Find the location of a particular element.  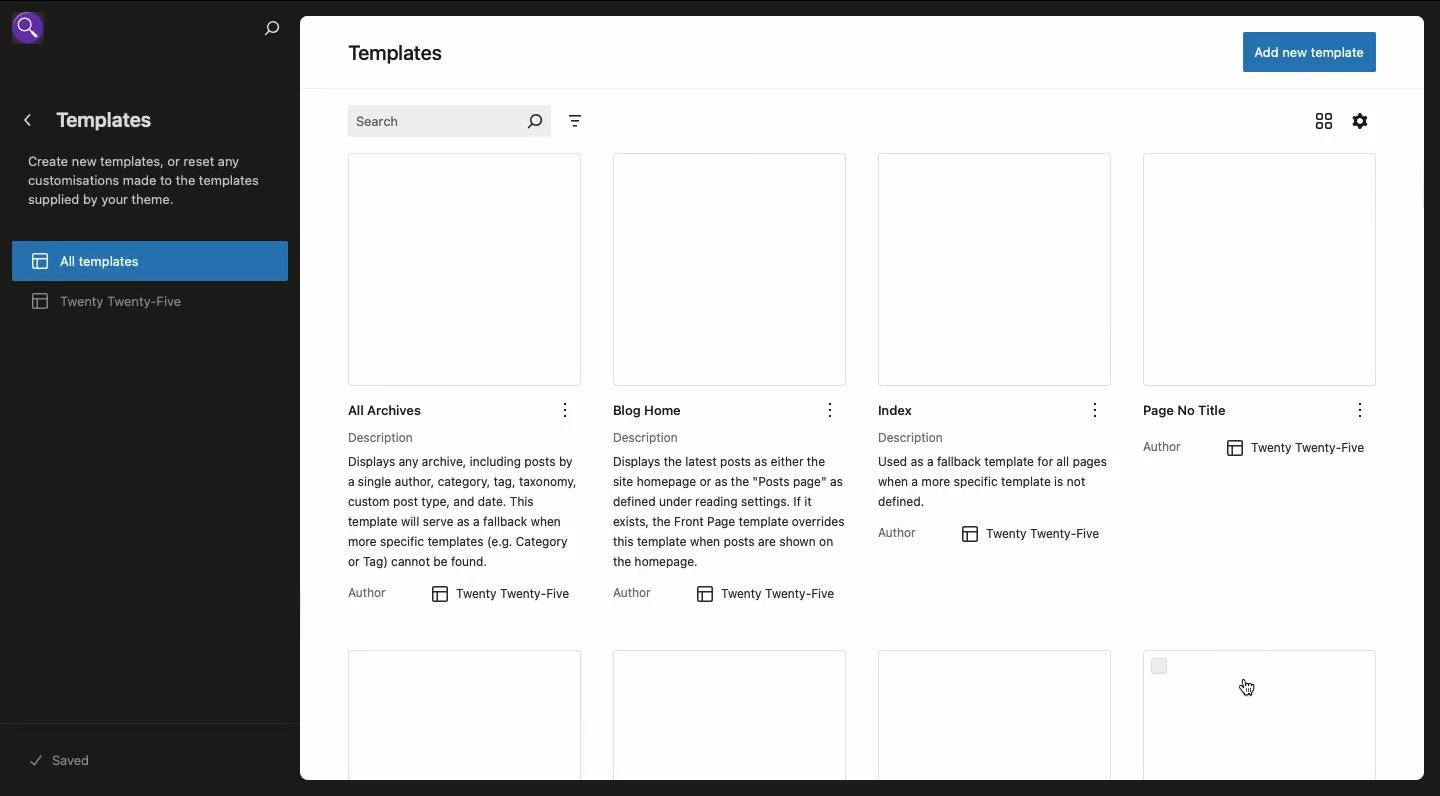

twenty twenty five is located at coordinates (1032, 534).